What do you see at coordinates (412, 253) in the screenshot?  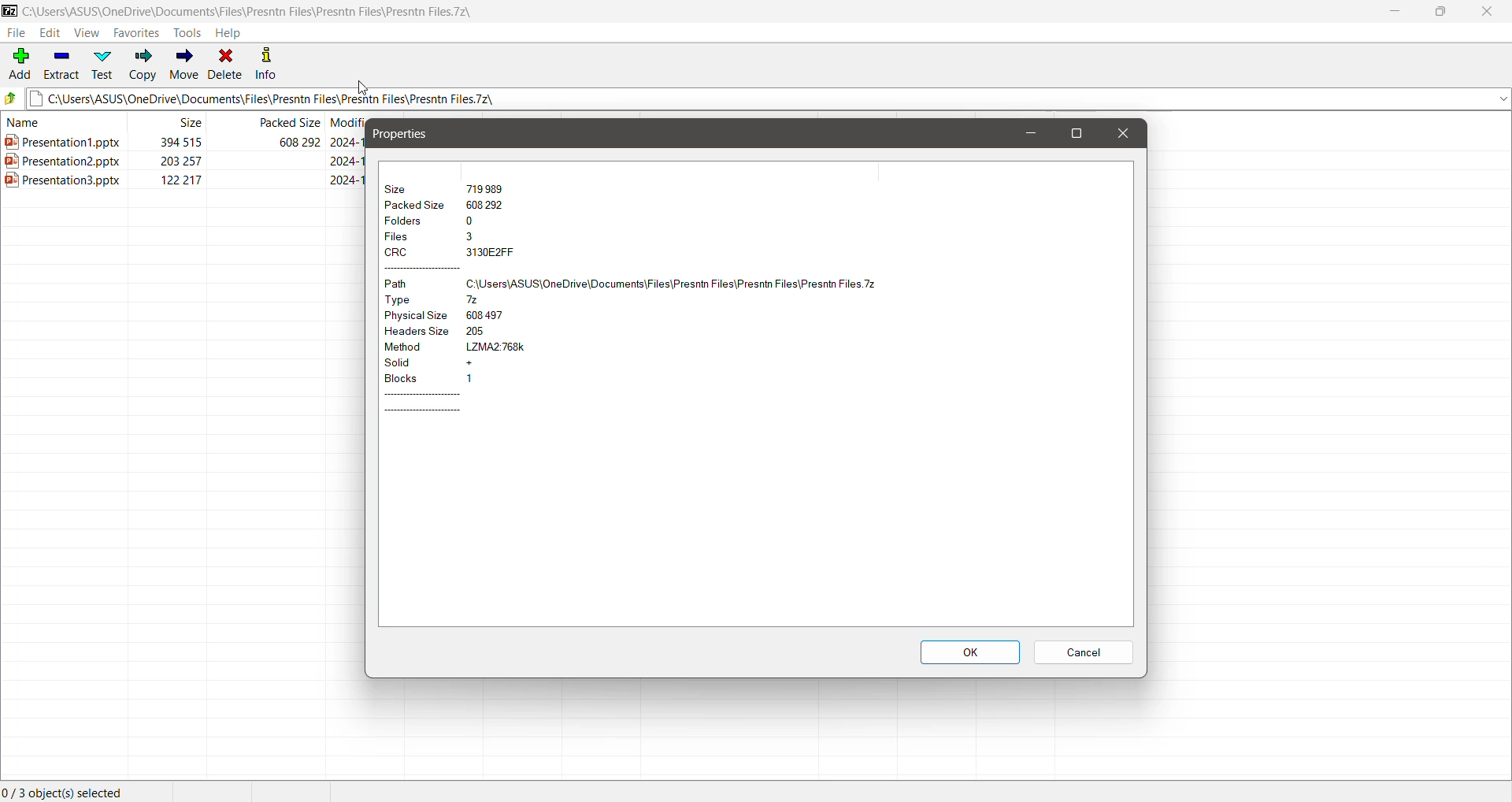 I see `CRC ` at bounding box center [412, 253].